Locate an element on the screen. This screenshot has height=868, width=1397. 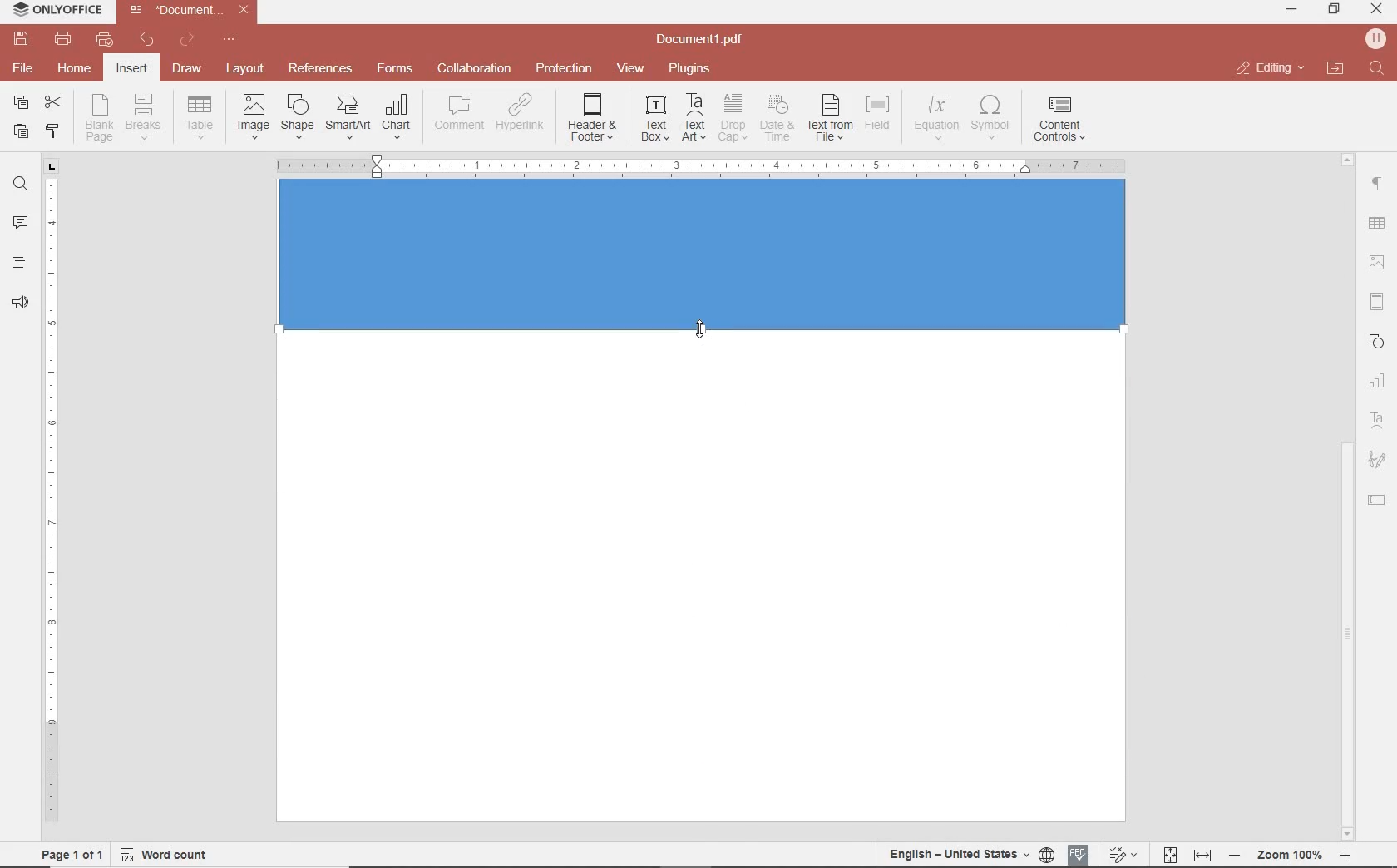
redo is located at coordinates (185, 42).